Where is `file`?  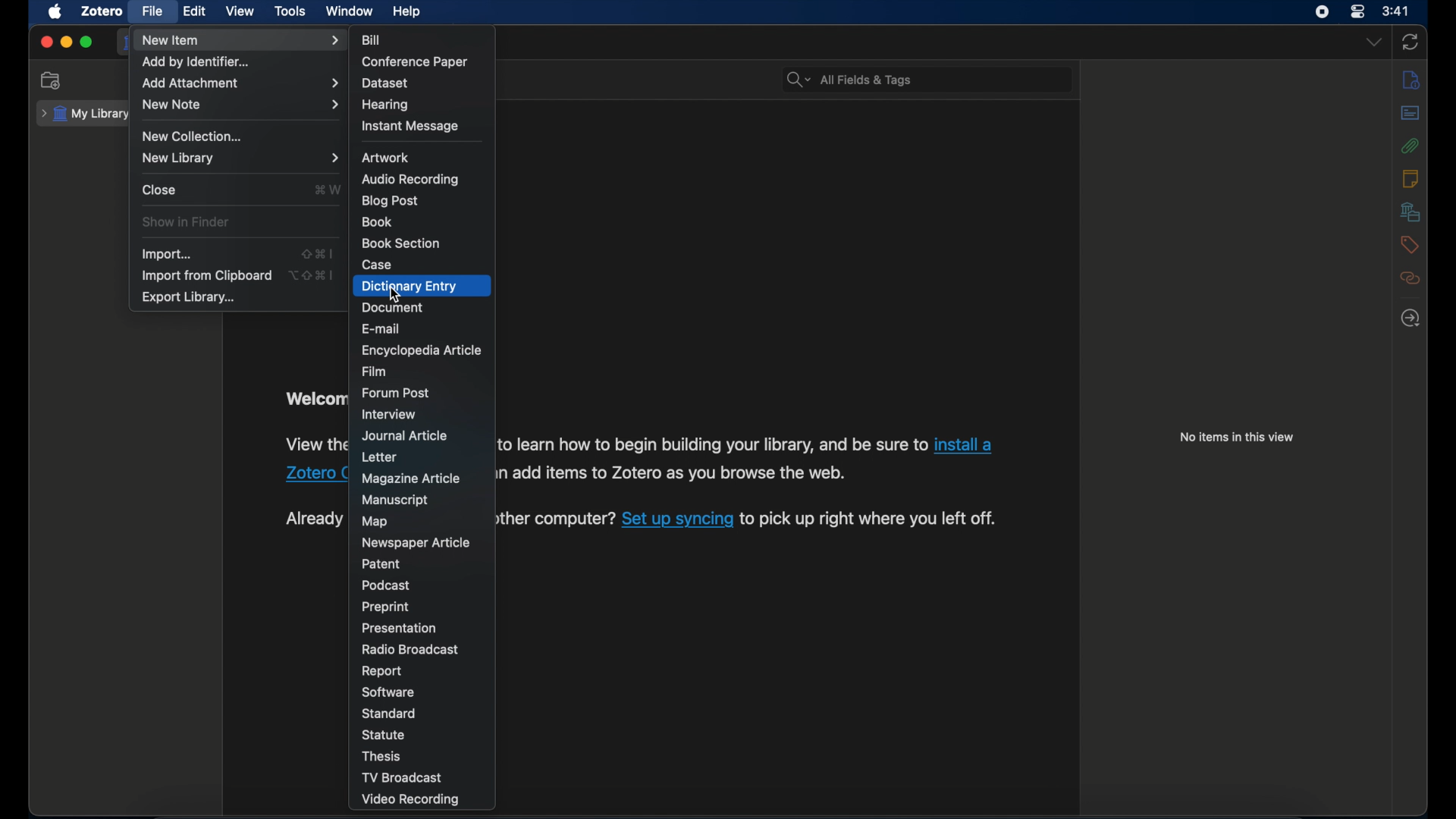 file is located at coordinates (153, 11).